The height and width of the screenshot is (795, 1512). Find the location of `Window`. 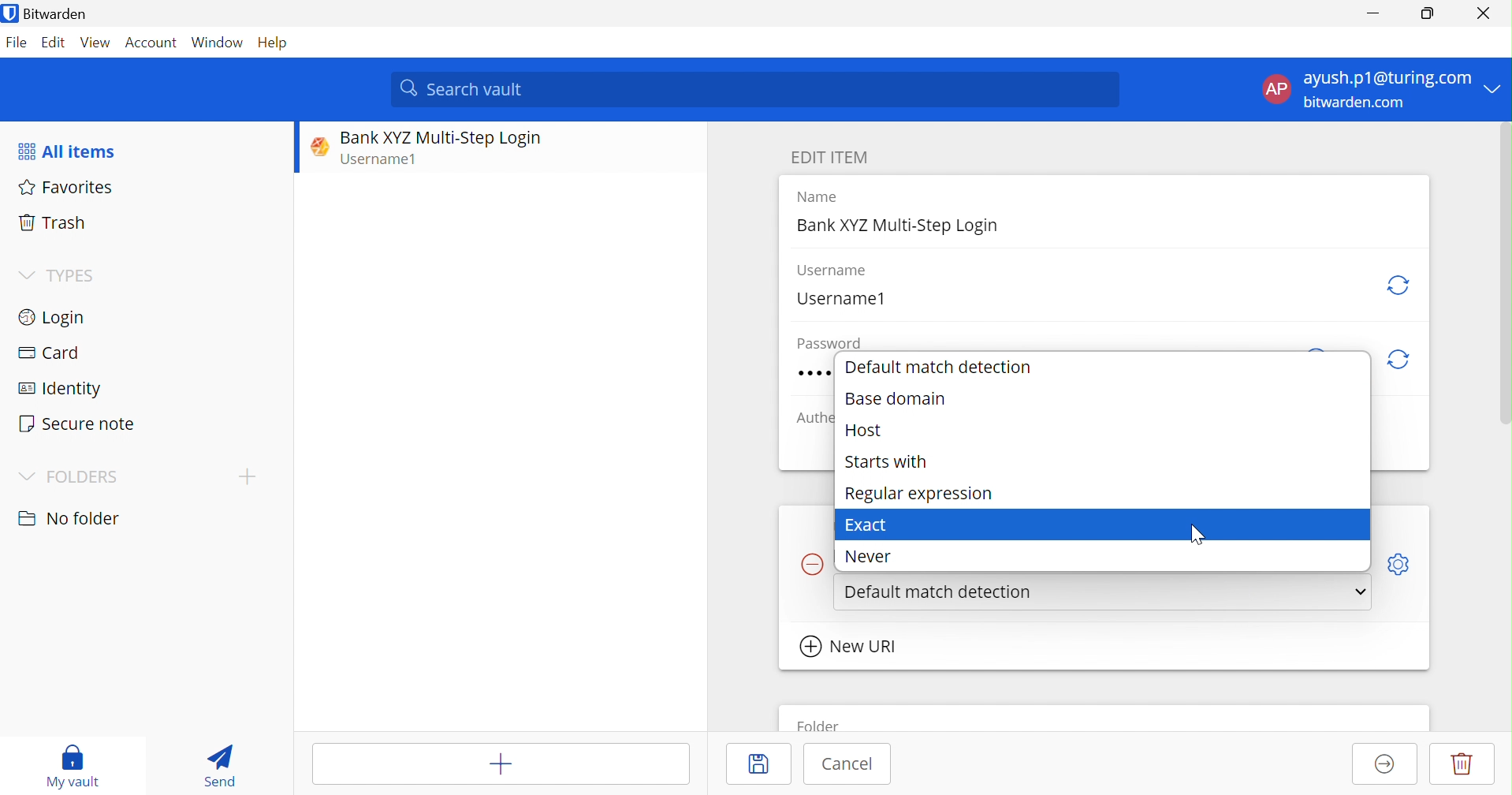

Window is located at coordinates (218, 44).